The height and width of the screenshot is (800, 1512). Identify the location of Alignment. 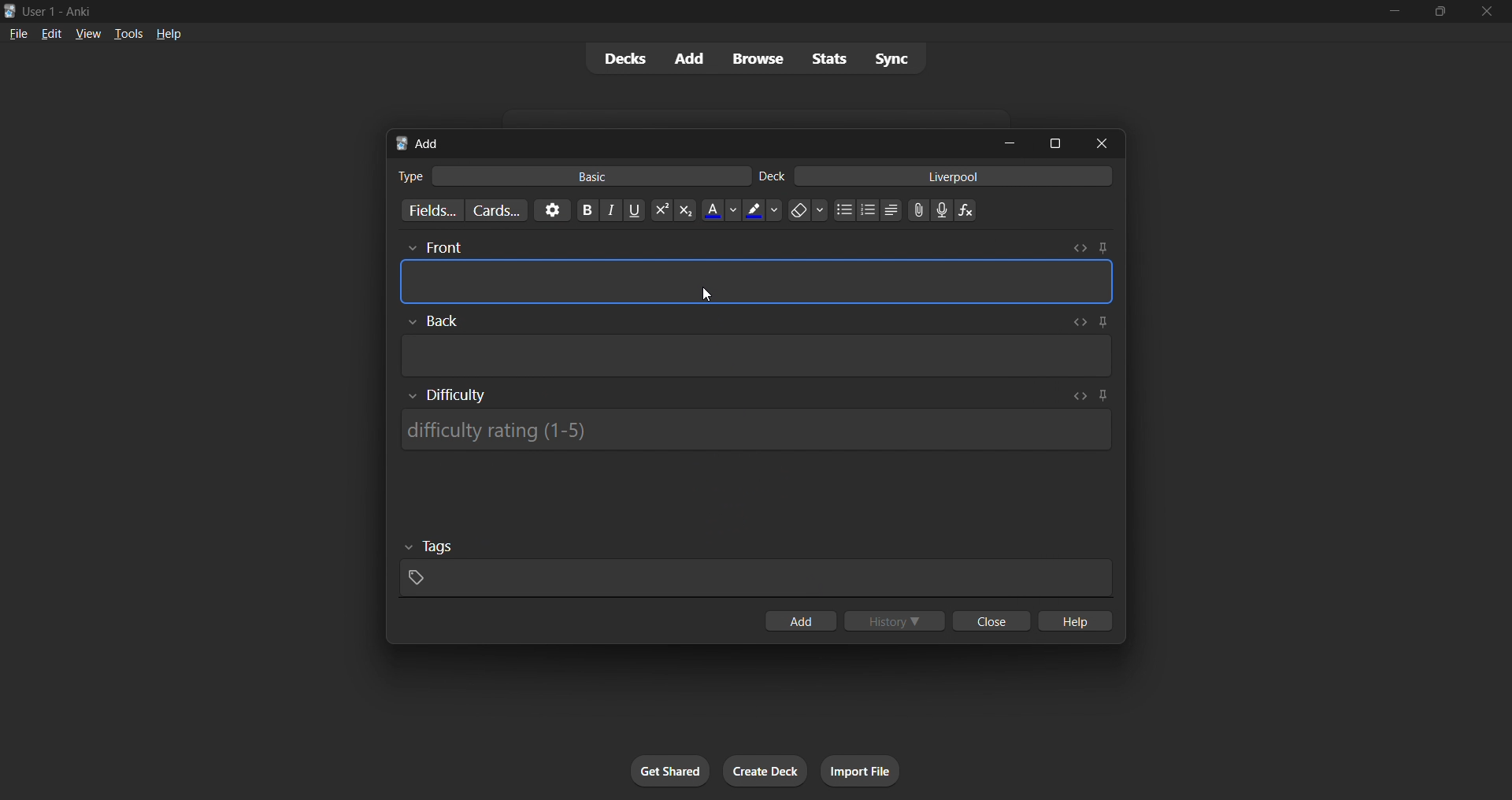
(891, 210).